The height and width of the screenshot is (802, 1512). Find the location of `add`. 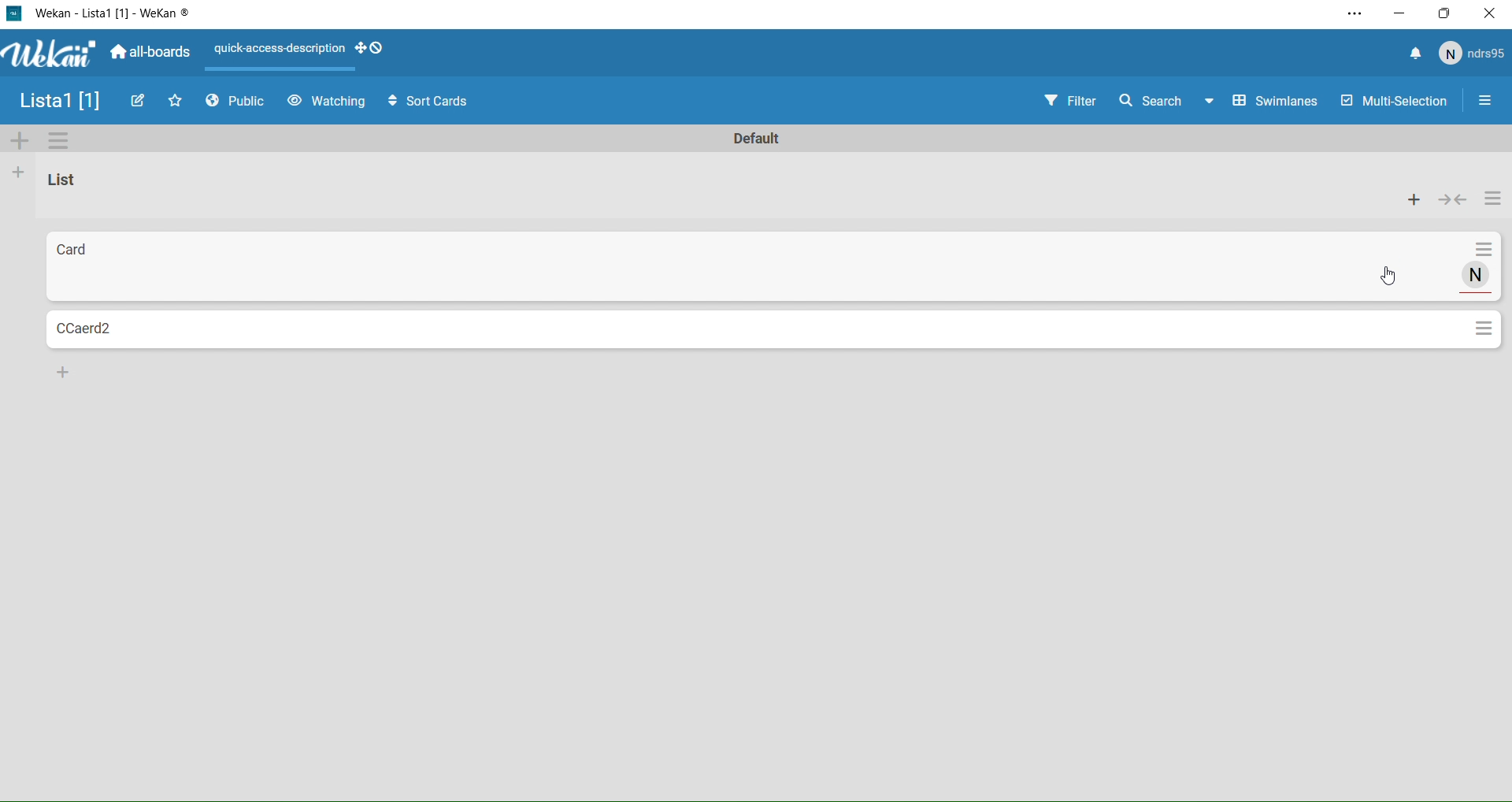

add is located at coordinates (13, 142).